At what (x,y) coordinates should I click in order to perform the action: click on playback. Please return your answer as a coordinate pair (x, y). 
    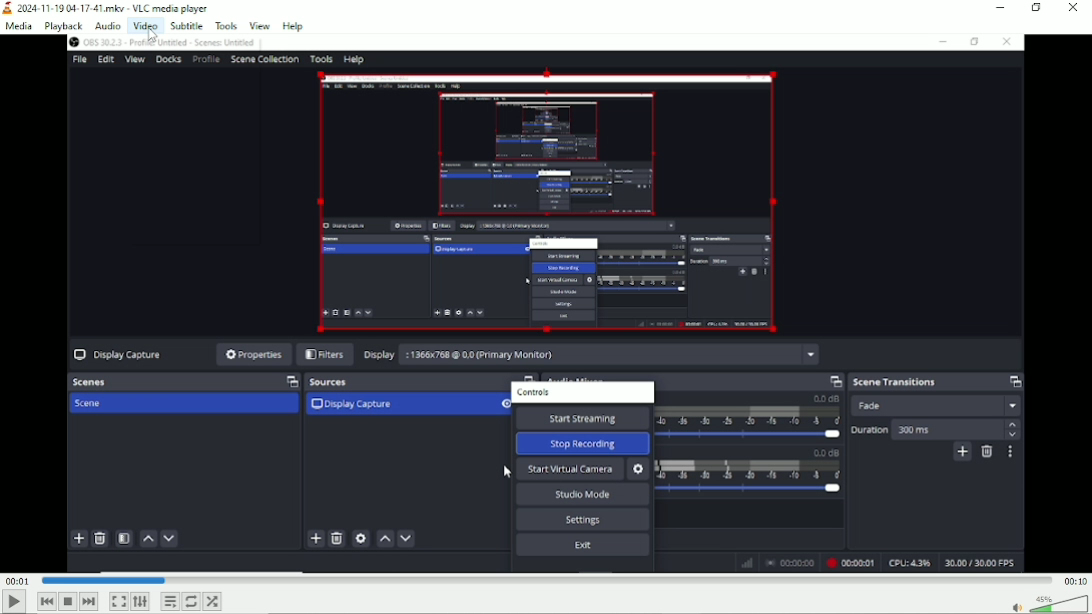
    Looking at the image, I should click on (63, 26).